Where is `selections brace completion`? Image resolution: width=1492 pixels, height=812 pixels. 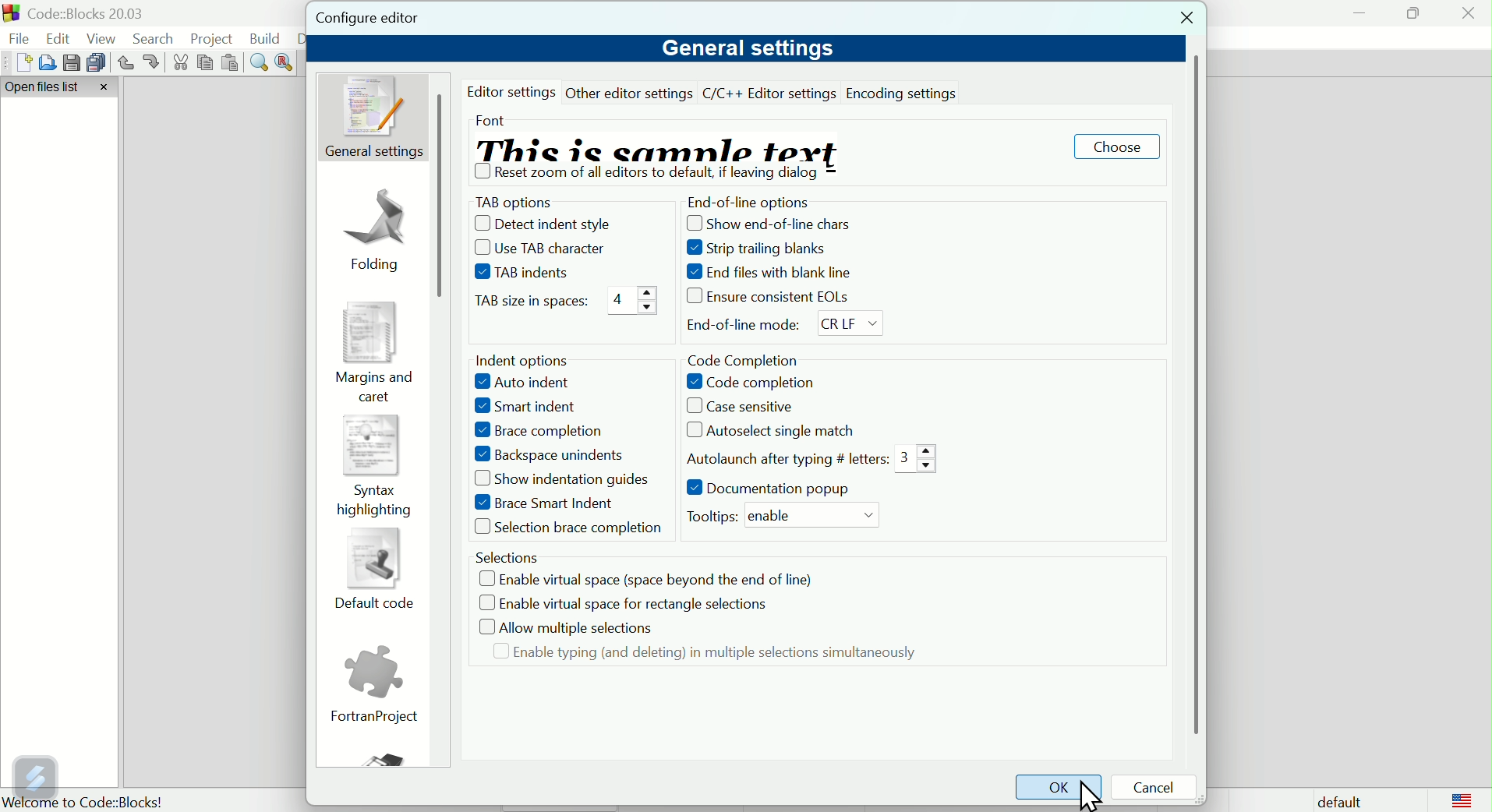 selections brace completion is located at coordinates (563, 529).